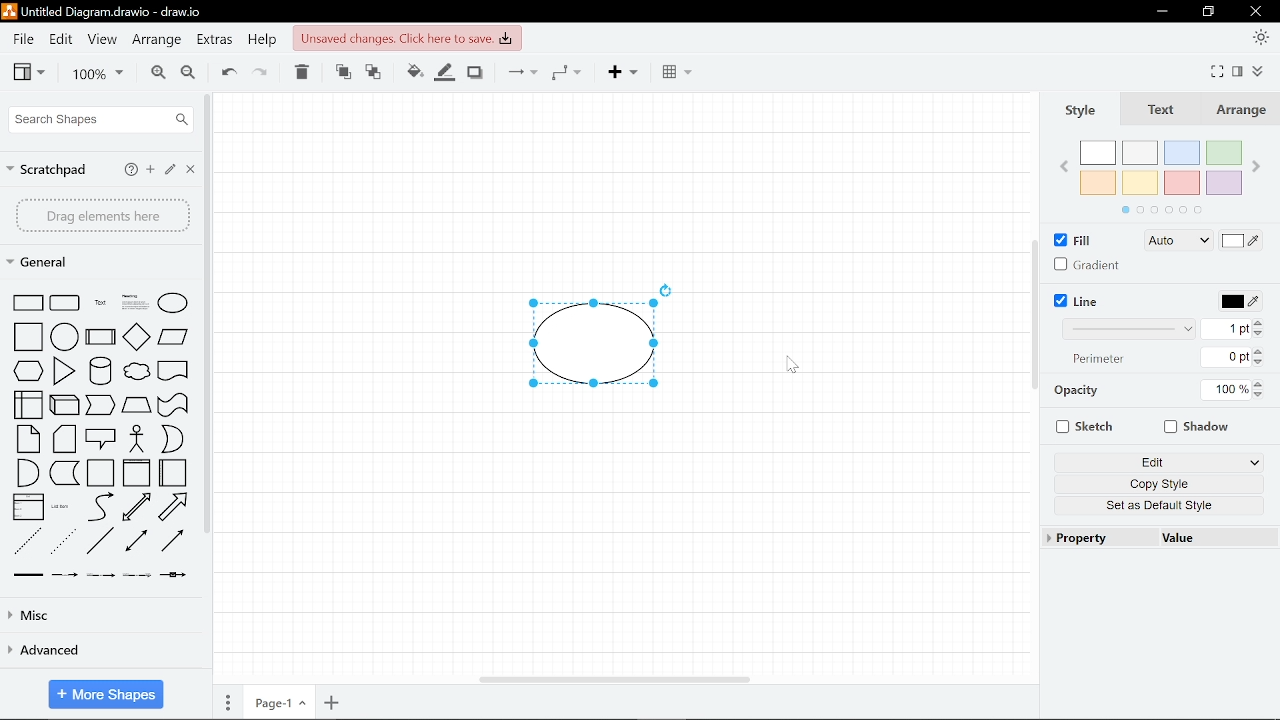 Image resolution: width=1280 pixels, height=720 pixels. Describe the element at coordinates (137, 543) in the screenshot. I see `bidirectional connector` at that location.